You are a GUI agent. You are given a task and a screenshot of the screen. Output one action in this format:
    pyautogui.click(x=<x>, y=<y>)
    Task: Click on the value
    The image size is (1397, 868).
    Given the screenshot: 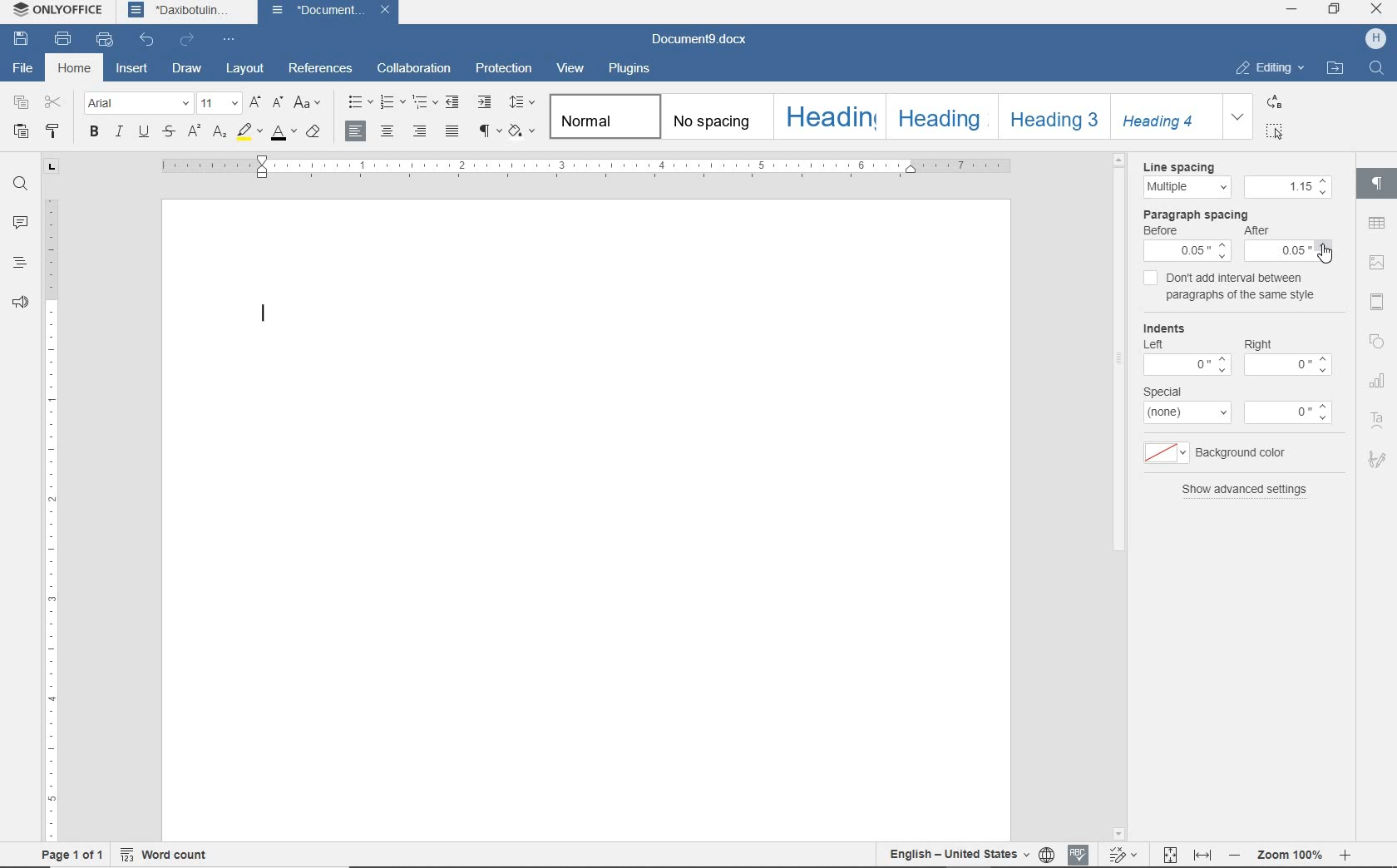 What is the action you would take?
    pyautogui.click(x=1187, y=365)
    